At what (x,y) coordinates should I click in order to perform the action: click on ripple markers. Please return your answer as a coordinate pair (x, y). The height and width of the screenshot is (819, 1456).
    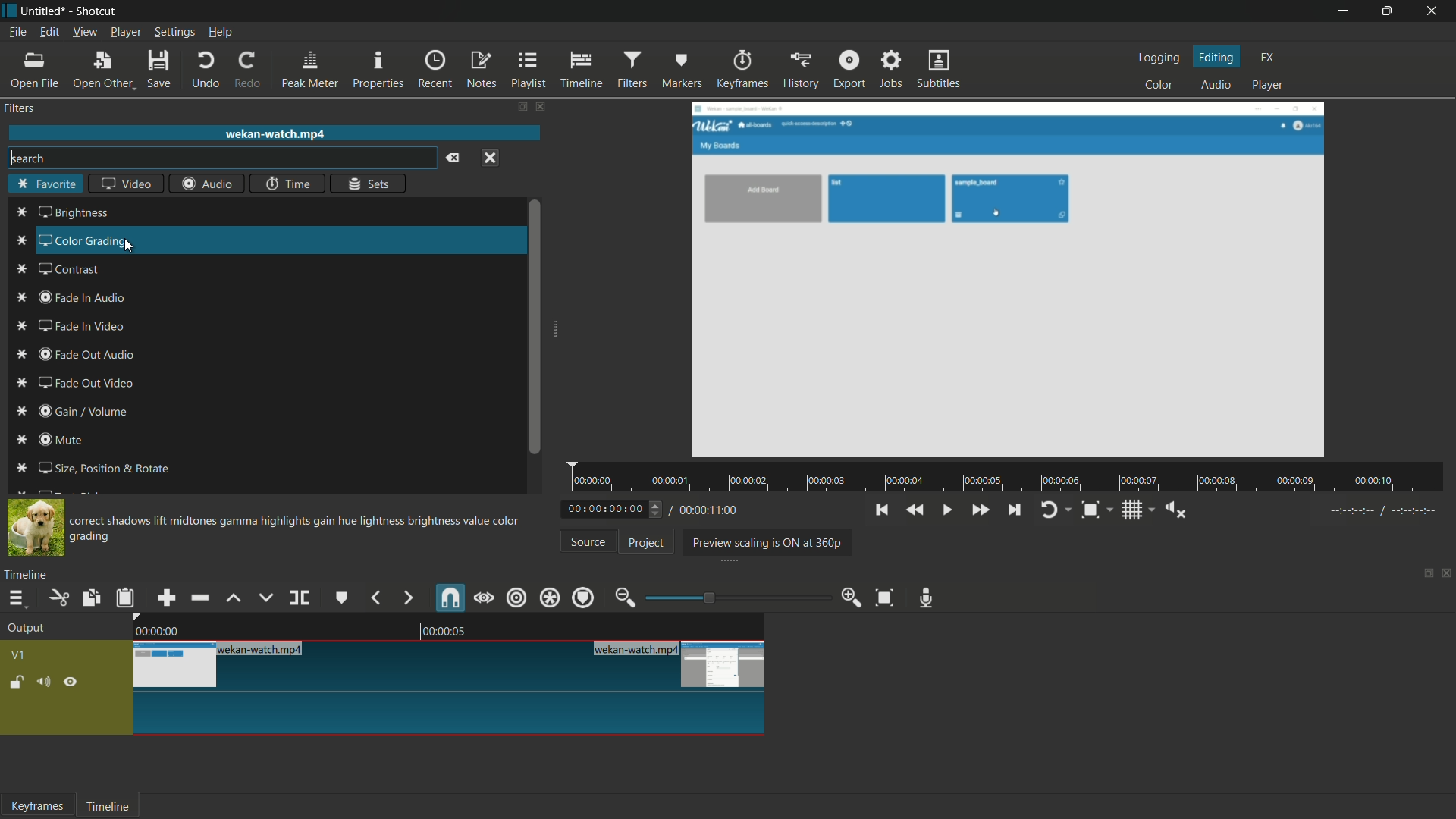
    Looking at the image, I should click on (584, 598).